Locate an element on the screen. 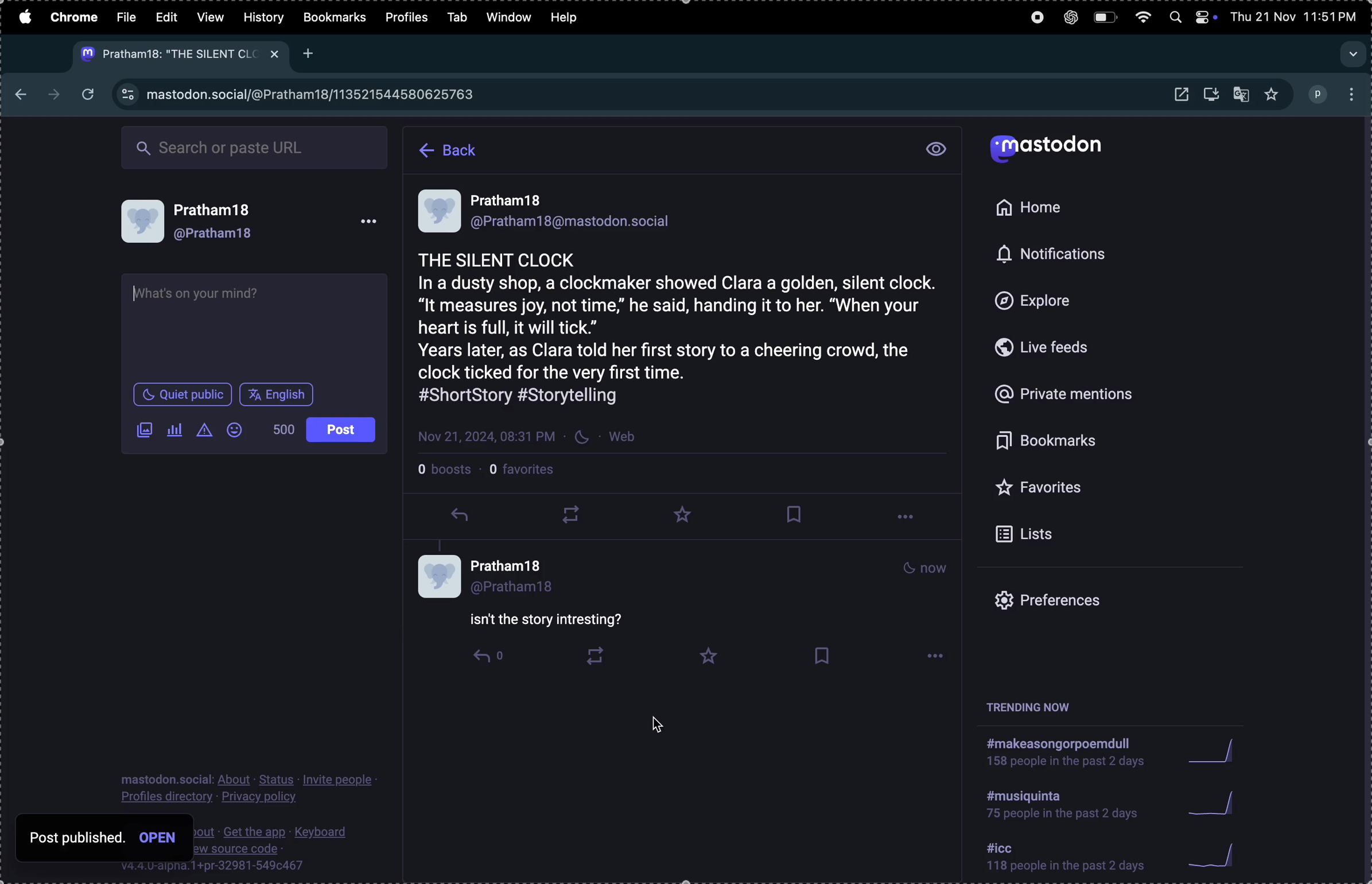   is located at coordinates (461, 152).